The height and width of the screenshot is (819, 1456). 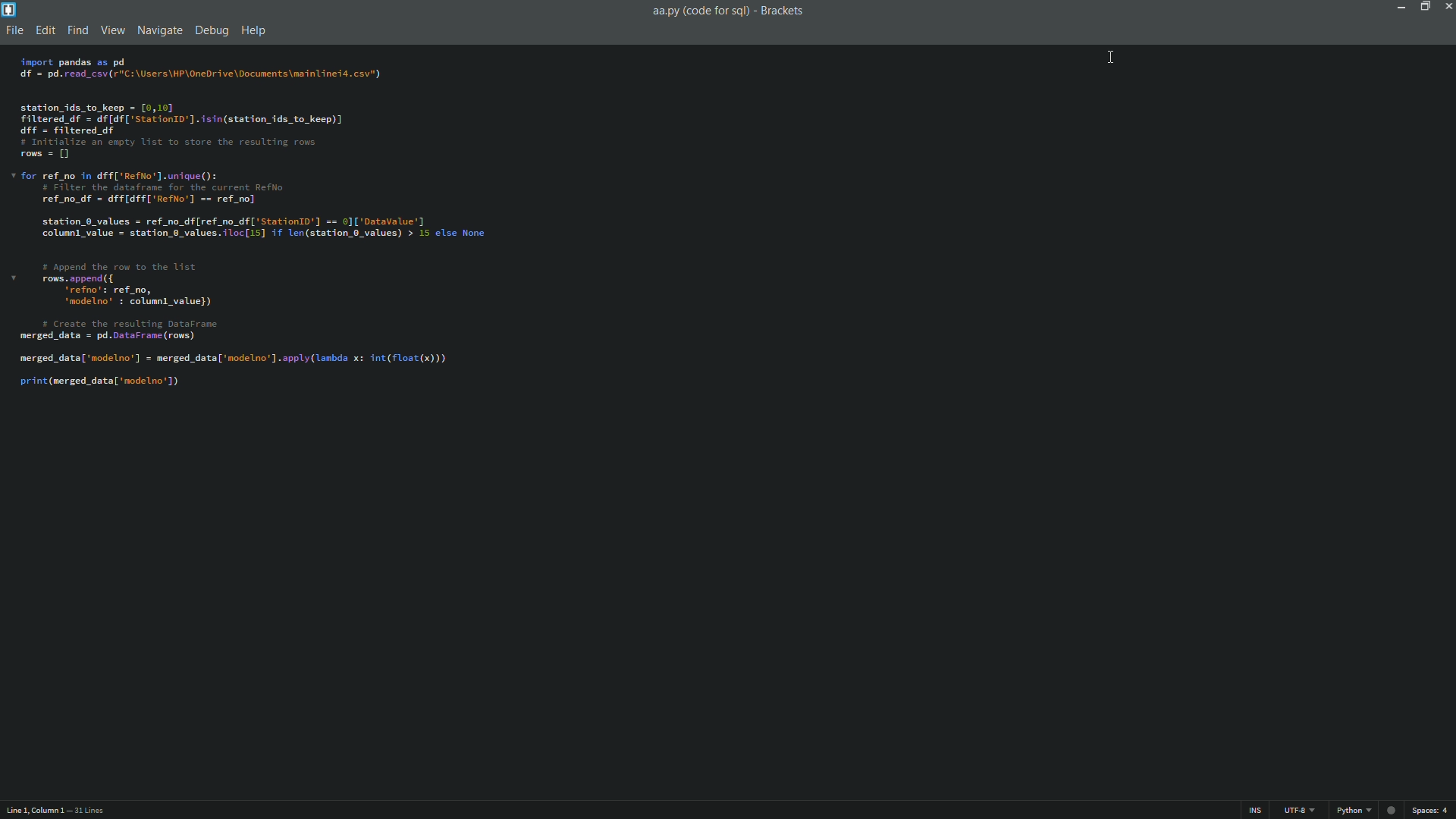 What do you see at coordinates (1354, 810) in the screenshot?
I see `python` at bounding box center [1354, 810].